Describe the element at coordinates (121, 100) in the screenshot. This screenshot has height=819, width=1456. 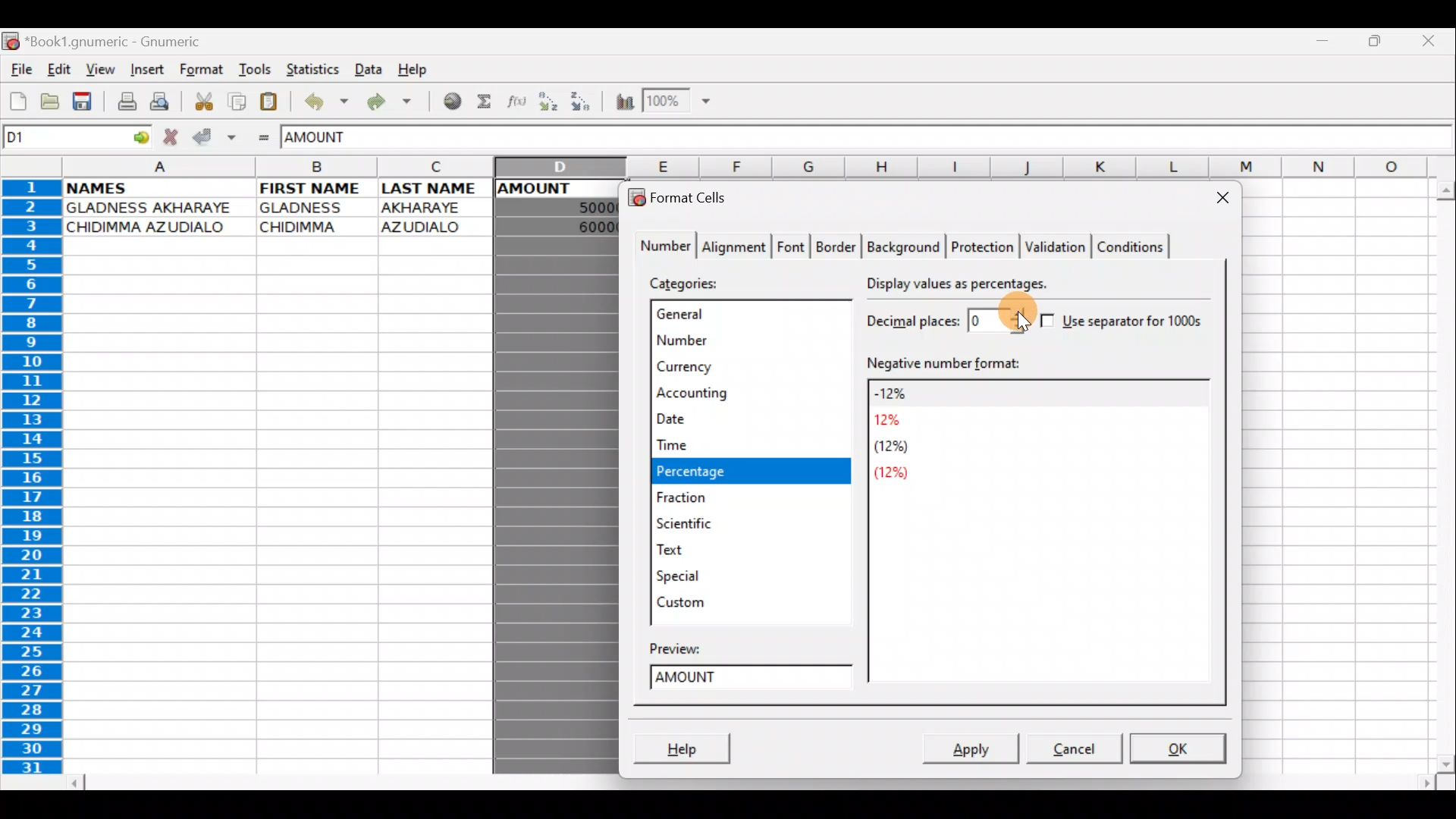
I see `Print file` at that location.